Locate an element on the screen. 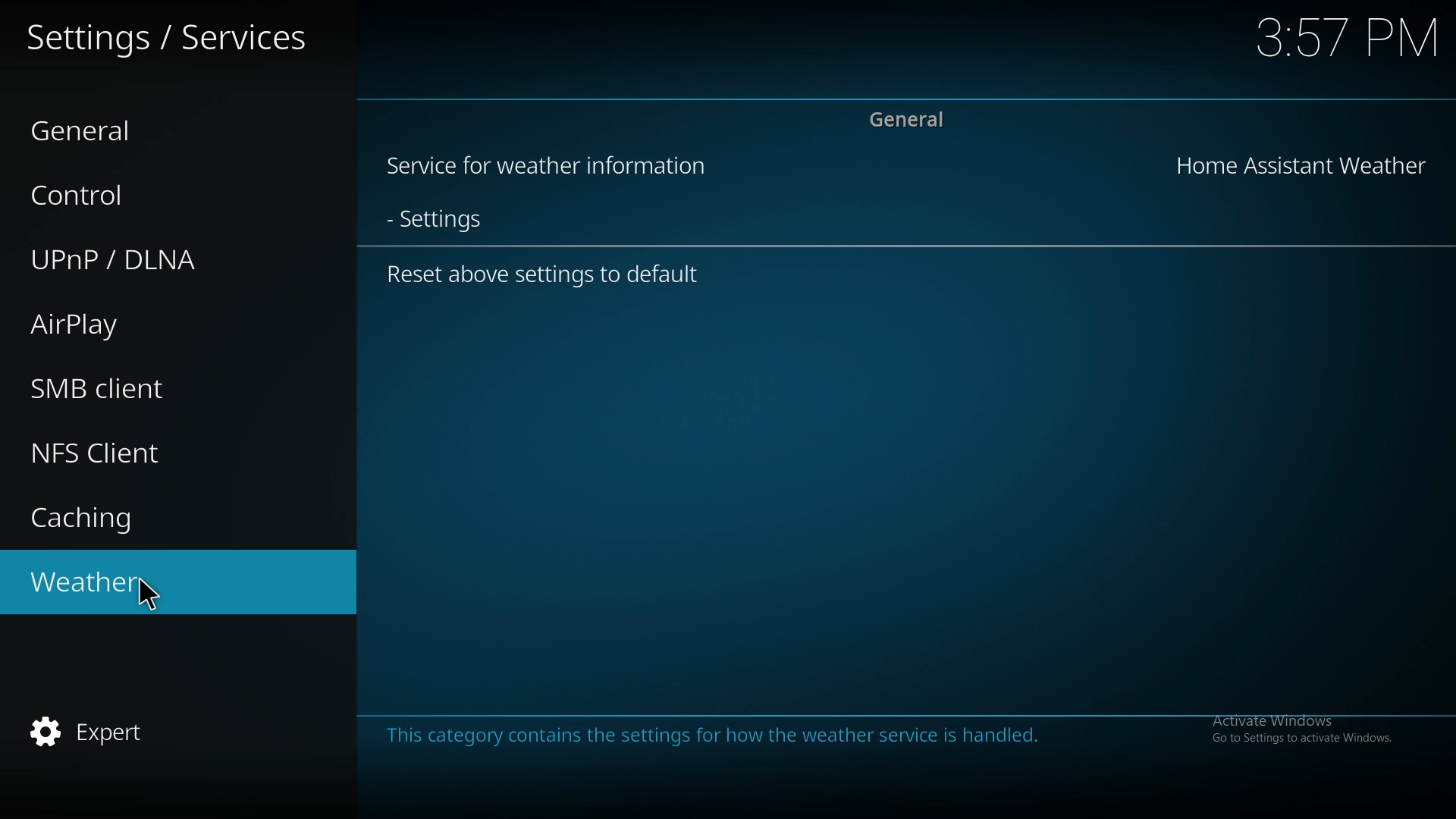 The image size is (1456, 819). airplay is located at coordinates (147, 325).